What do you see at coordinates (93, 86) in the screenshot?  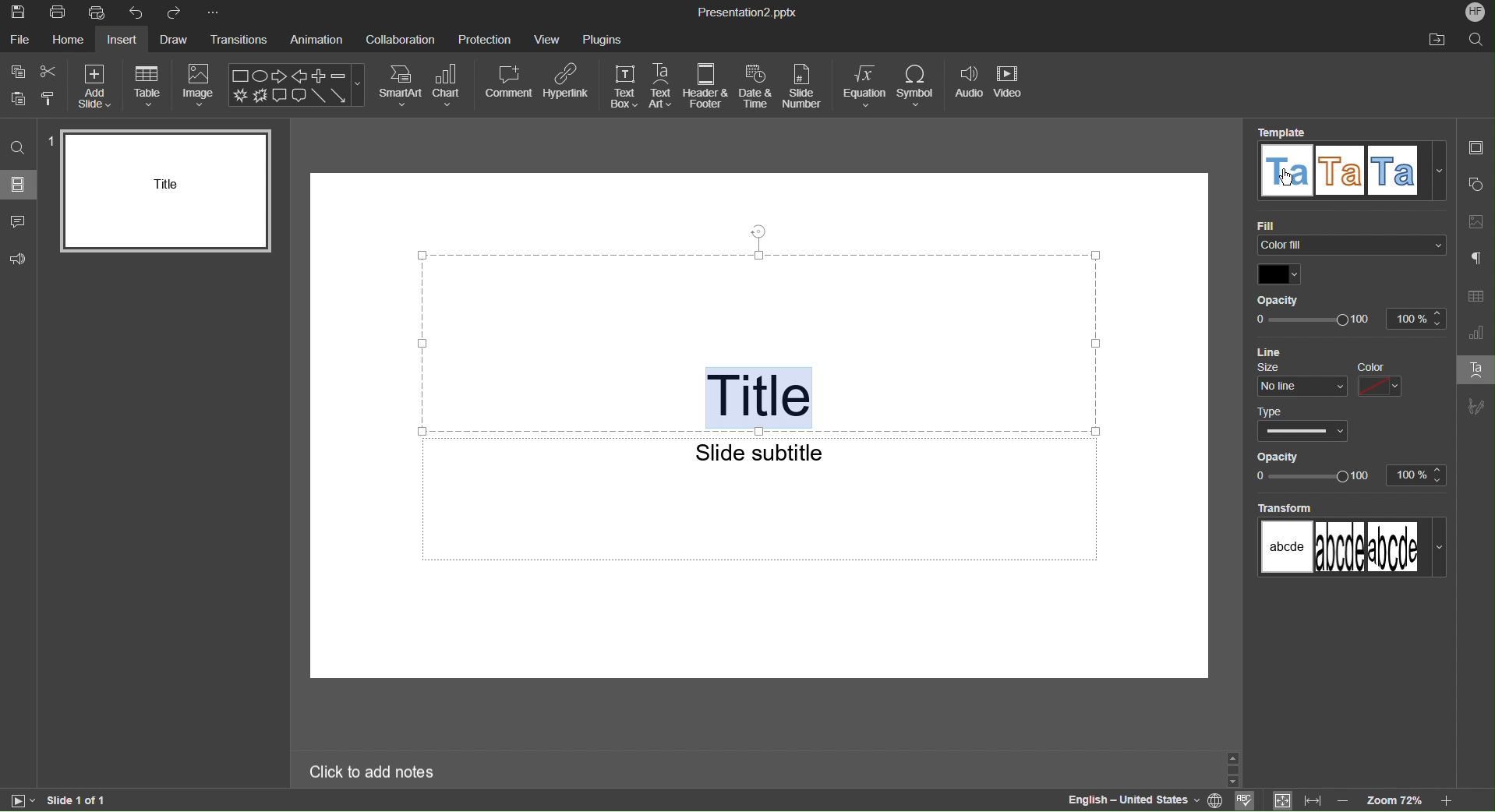 I see `Add Slide` at bounding box center [93, 86].